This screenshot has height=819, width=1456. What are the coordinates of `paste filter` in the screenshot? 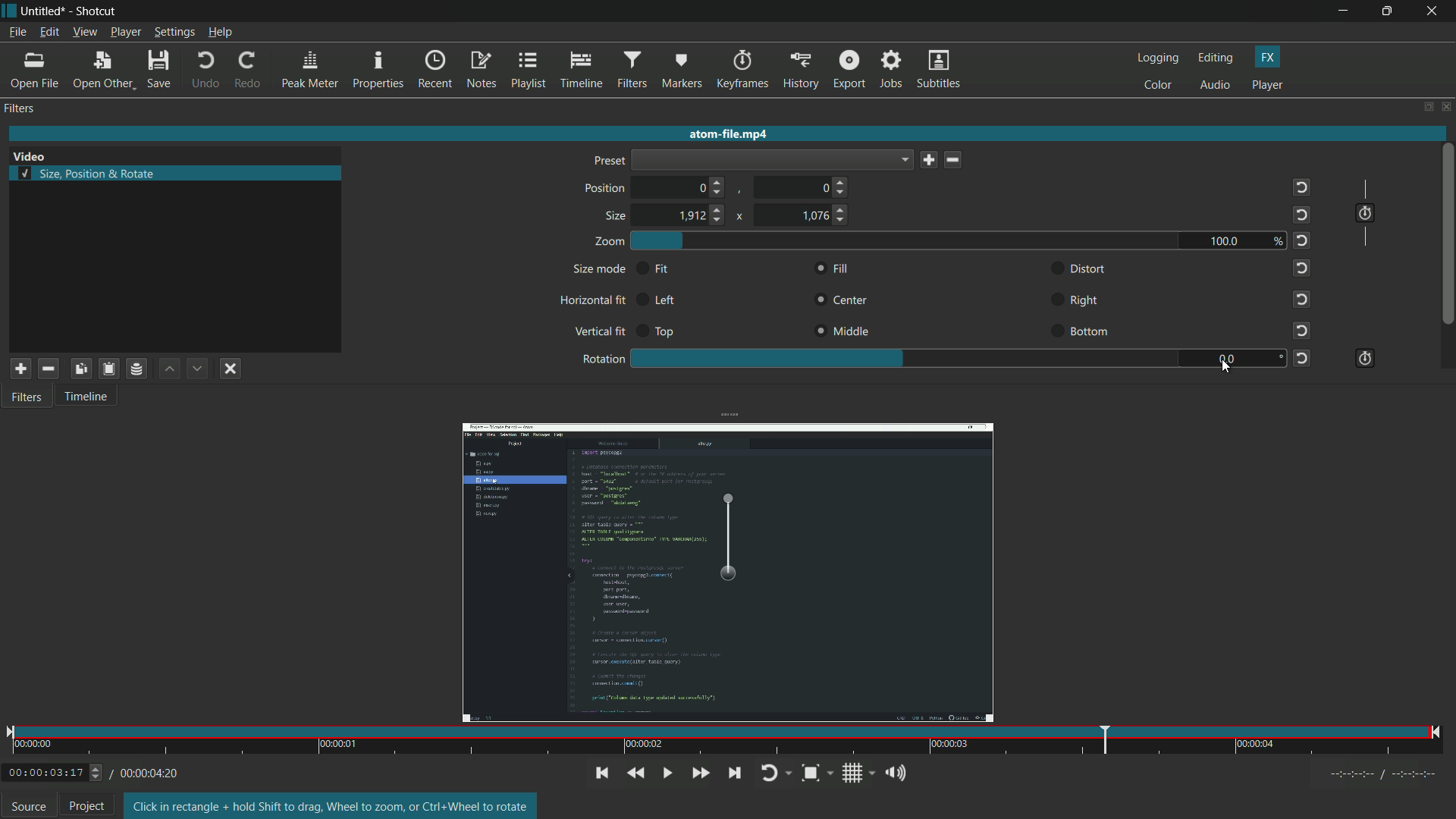 It's located at (108, 369).